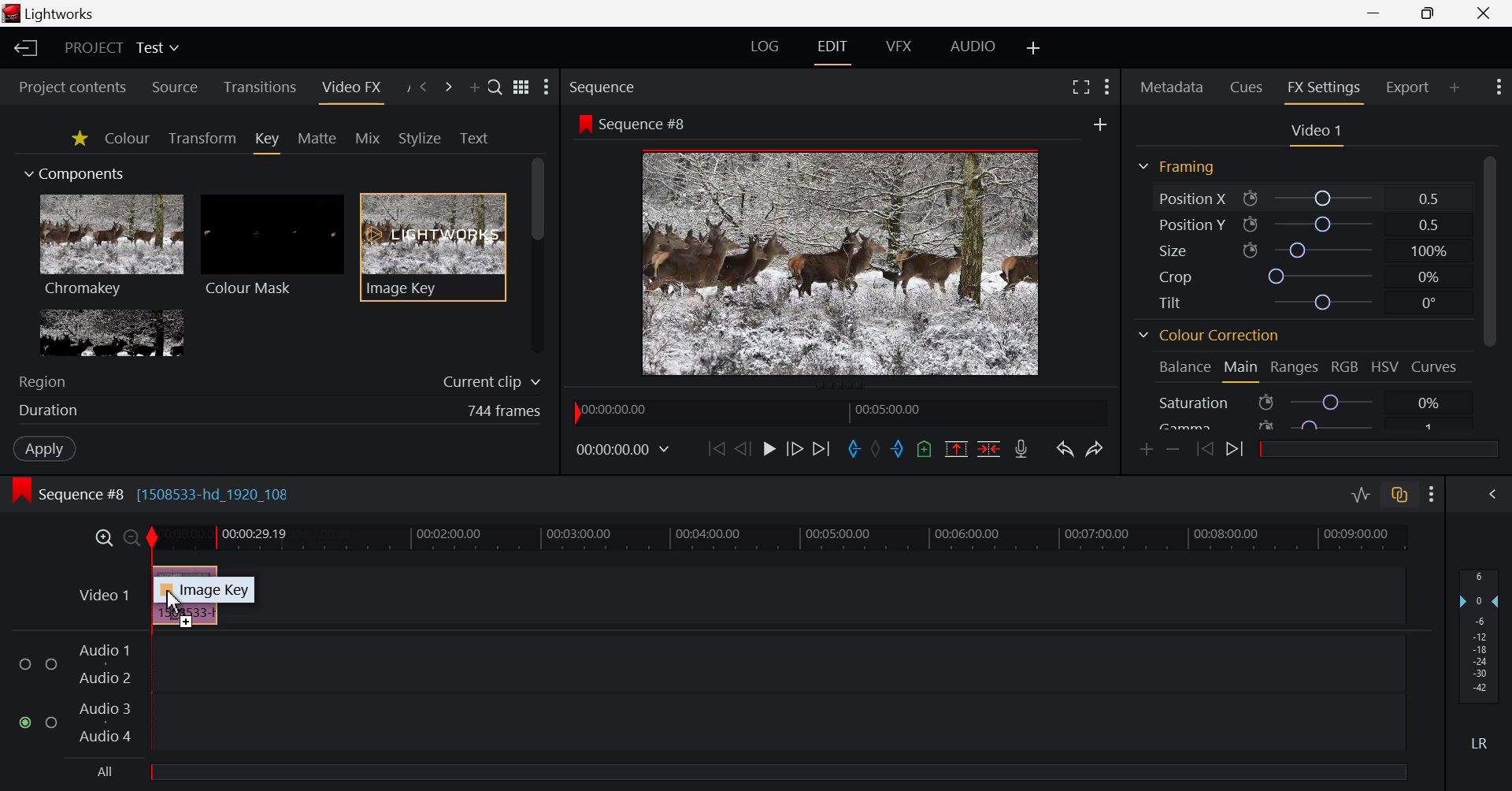 This screenshot has height=791, width=1512. I want to click on Sequence #8 [1508533-hd_1920_108, so click(151, 492).